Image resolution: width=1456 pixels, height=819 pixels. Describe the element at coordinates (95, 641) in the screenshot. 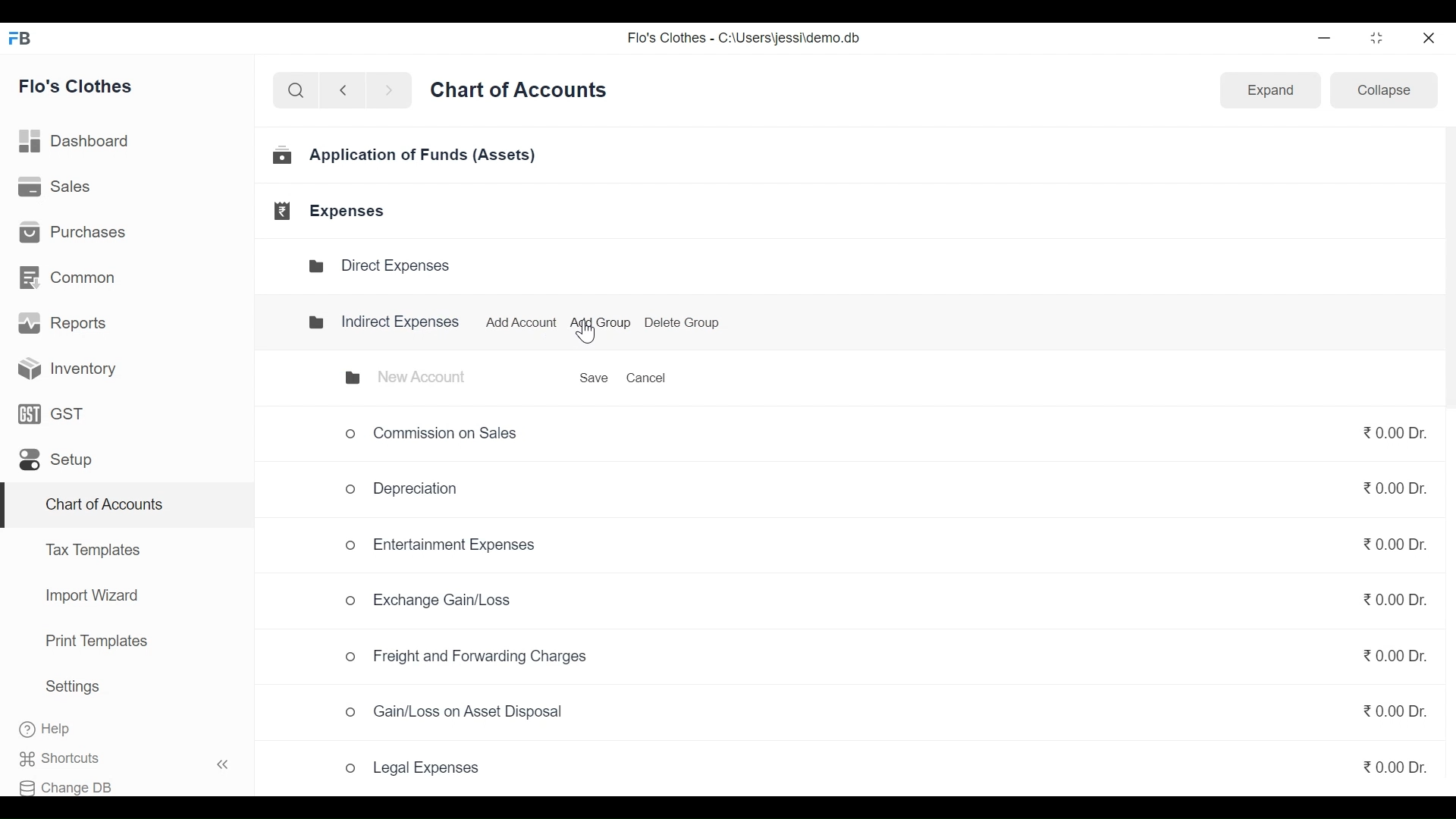

I see `Print Templates` at that location.